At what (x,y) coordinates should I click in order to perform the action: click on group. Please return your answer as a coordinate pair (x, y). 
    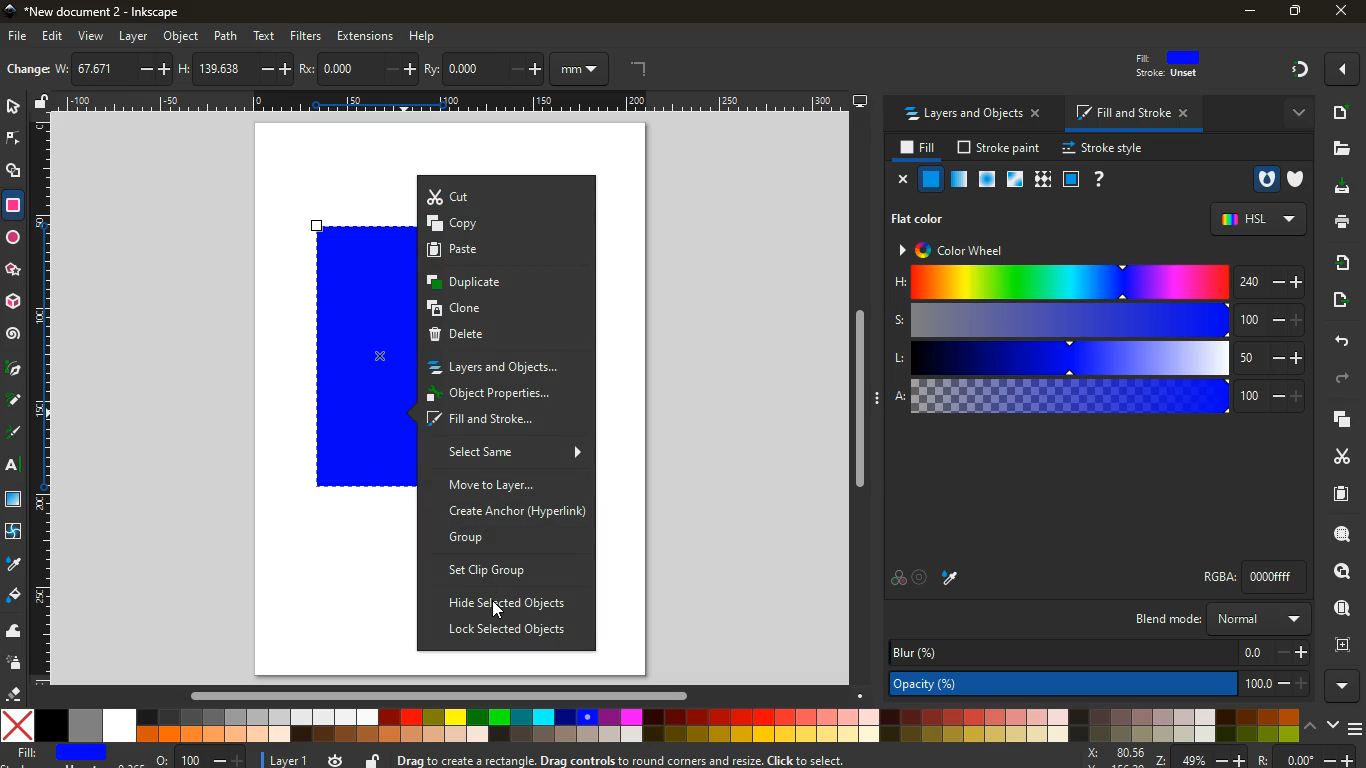
    Looking at the image, I should click on (505, 538).